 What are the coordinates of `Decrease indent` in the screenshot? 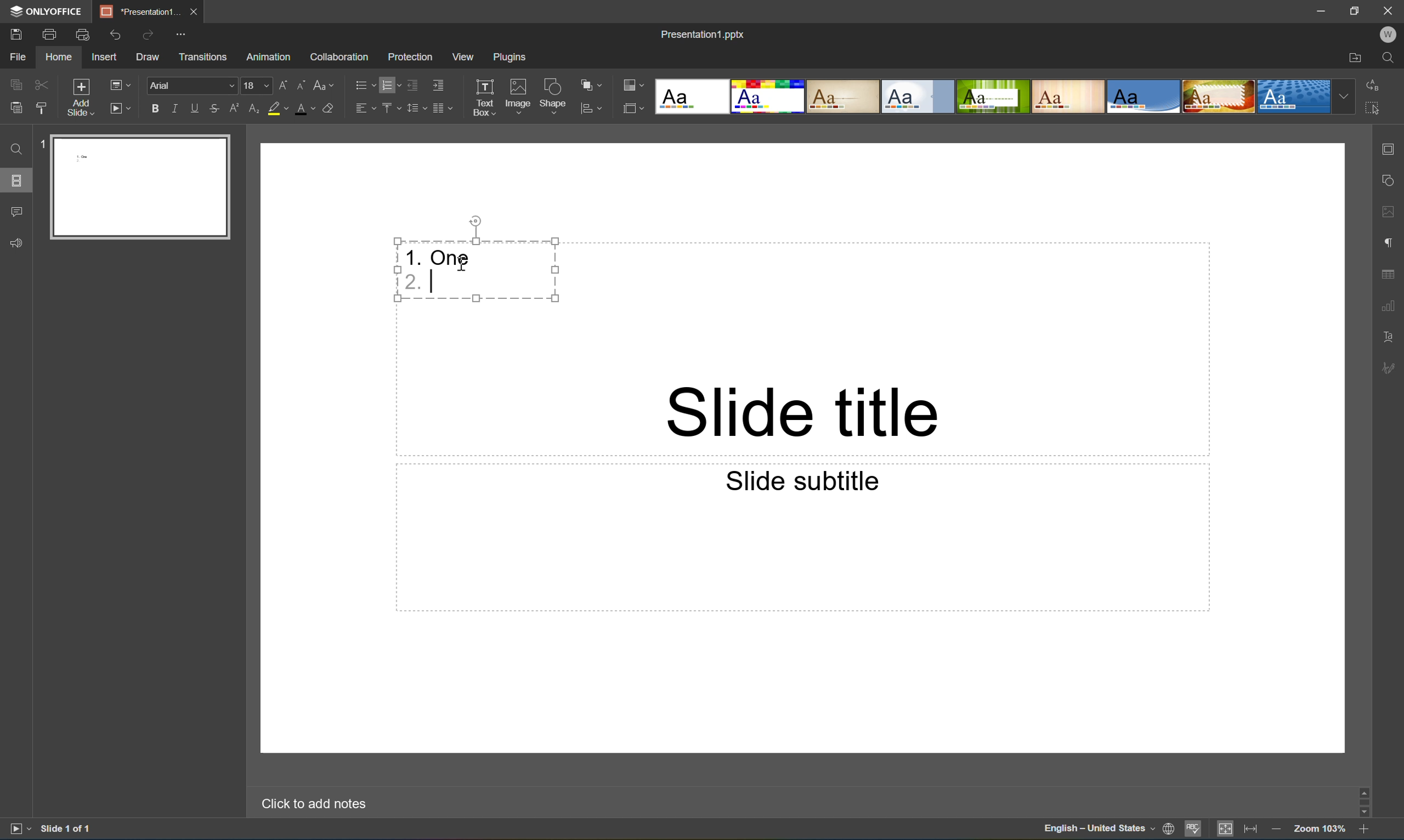 It's located at (414, 86).